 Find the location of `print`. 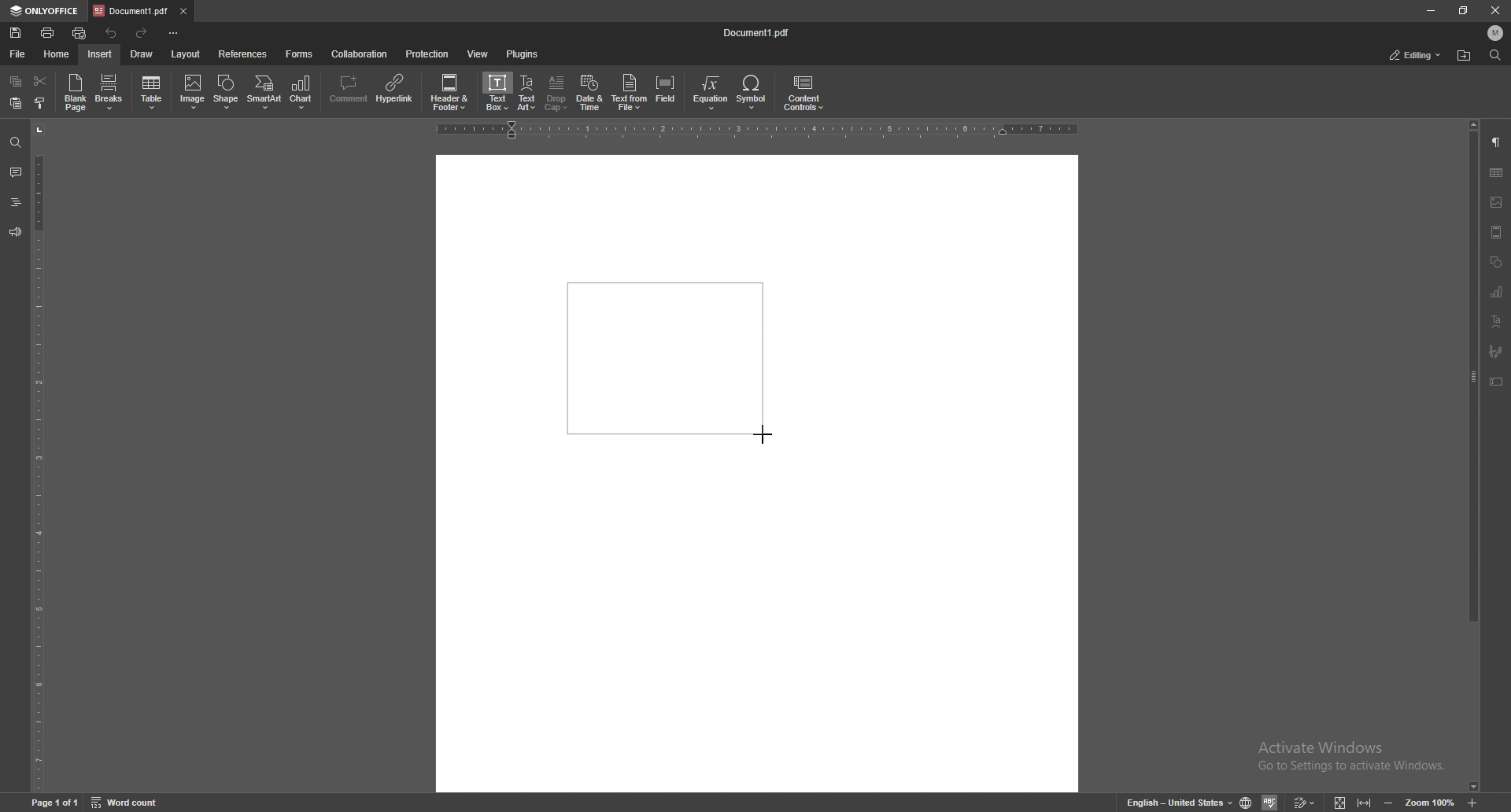

print is located at coordinates (47, 33).